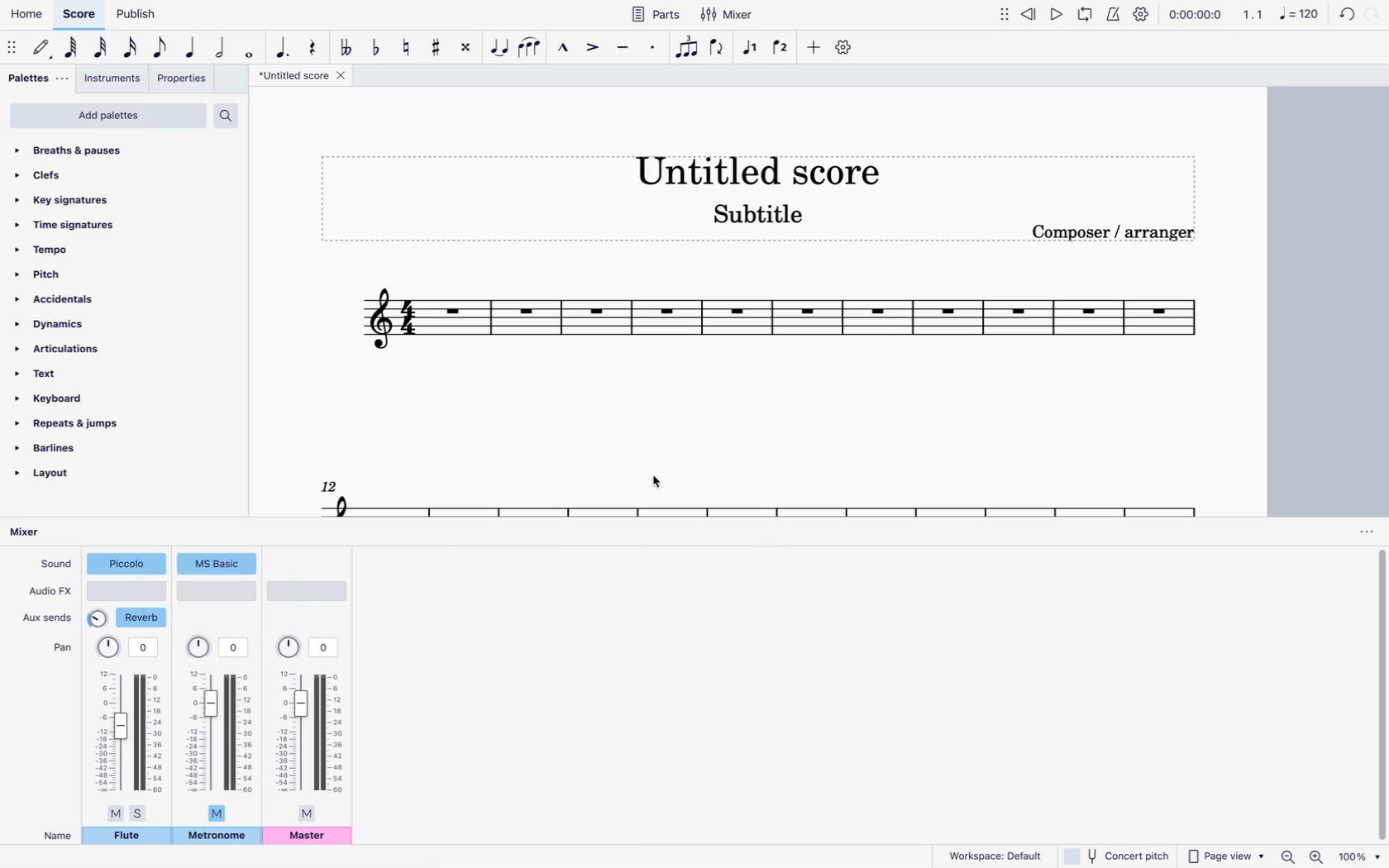  Describe the element at coordinates (161, 50) in the screenshot. I see `eight note` at that location.